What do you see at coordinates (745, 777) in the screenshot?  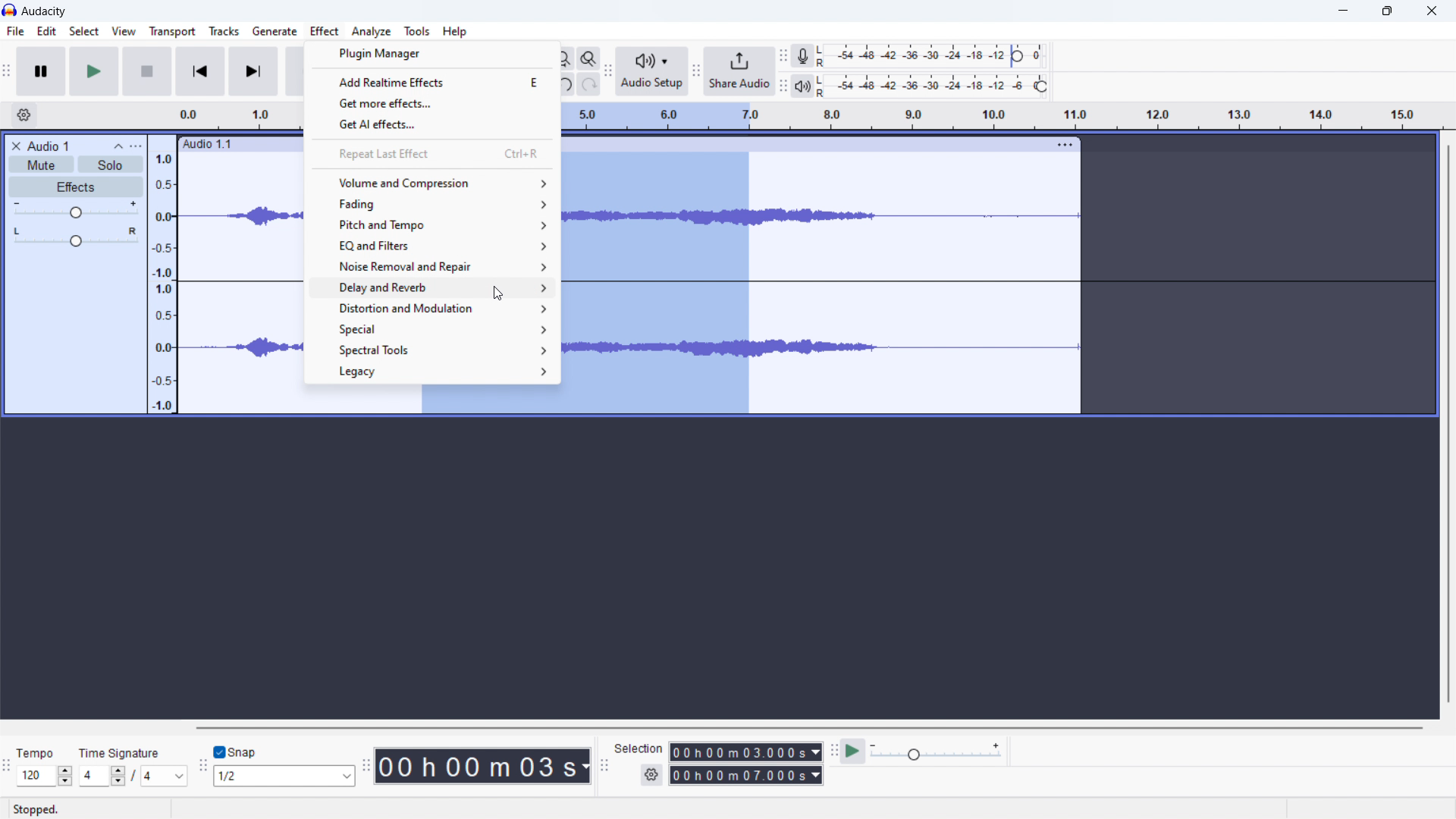 I see `00 h 00 m 07.000 s` at bounding box center [745, 777].